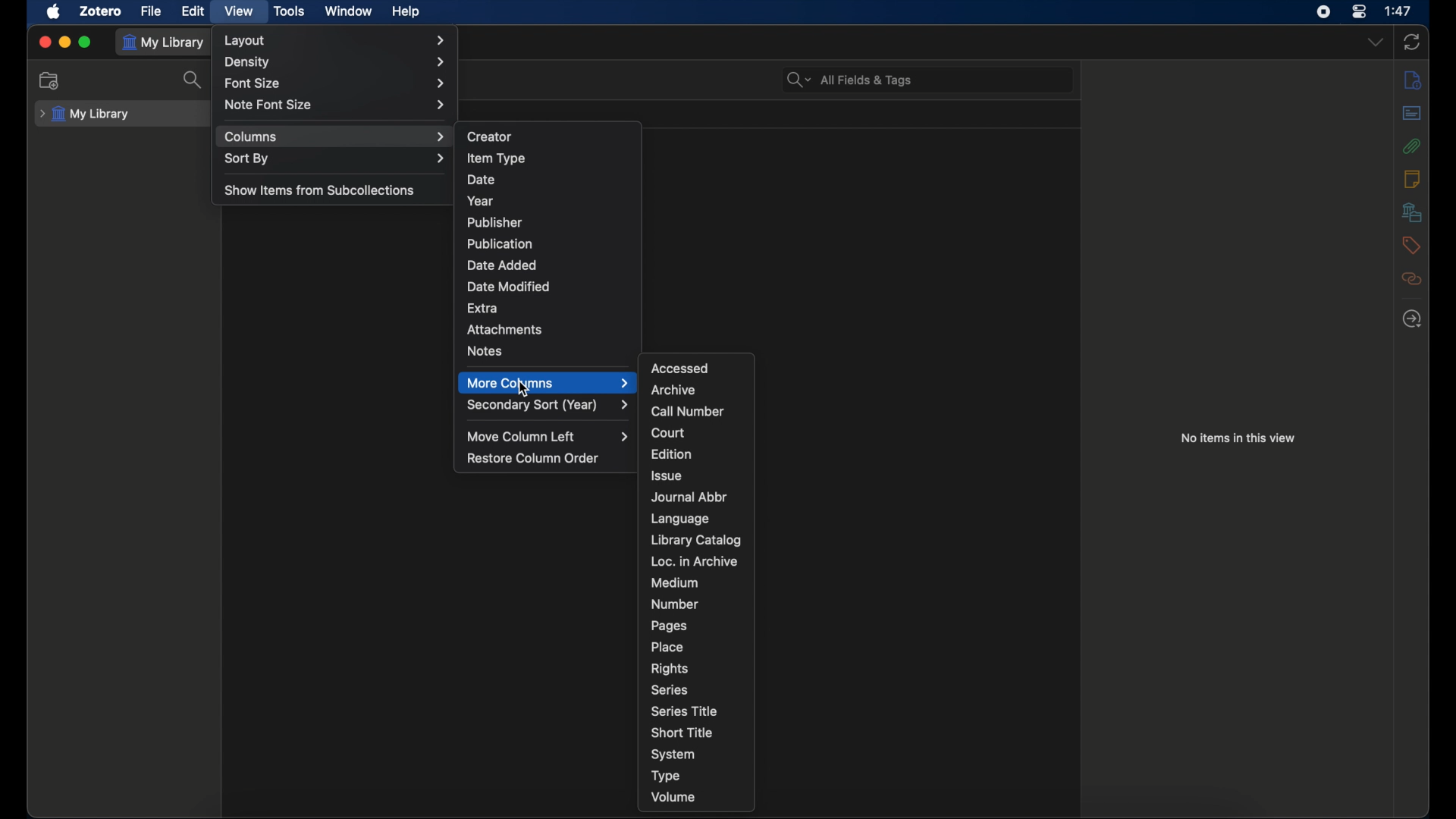 The image size is (1456, 819). What do you see at coordinates (1359, 11) in the screenshot?
I see `control center` at bounding box center [1359, 11].